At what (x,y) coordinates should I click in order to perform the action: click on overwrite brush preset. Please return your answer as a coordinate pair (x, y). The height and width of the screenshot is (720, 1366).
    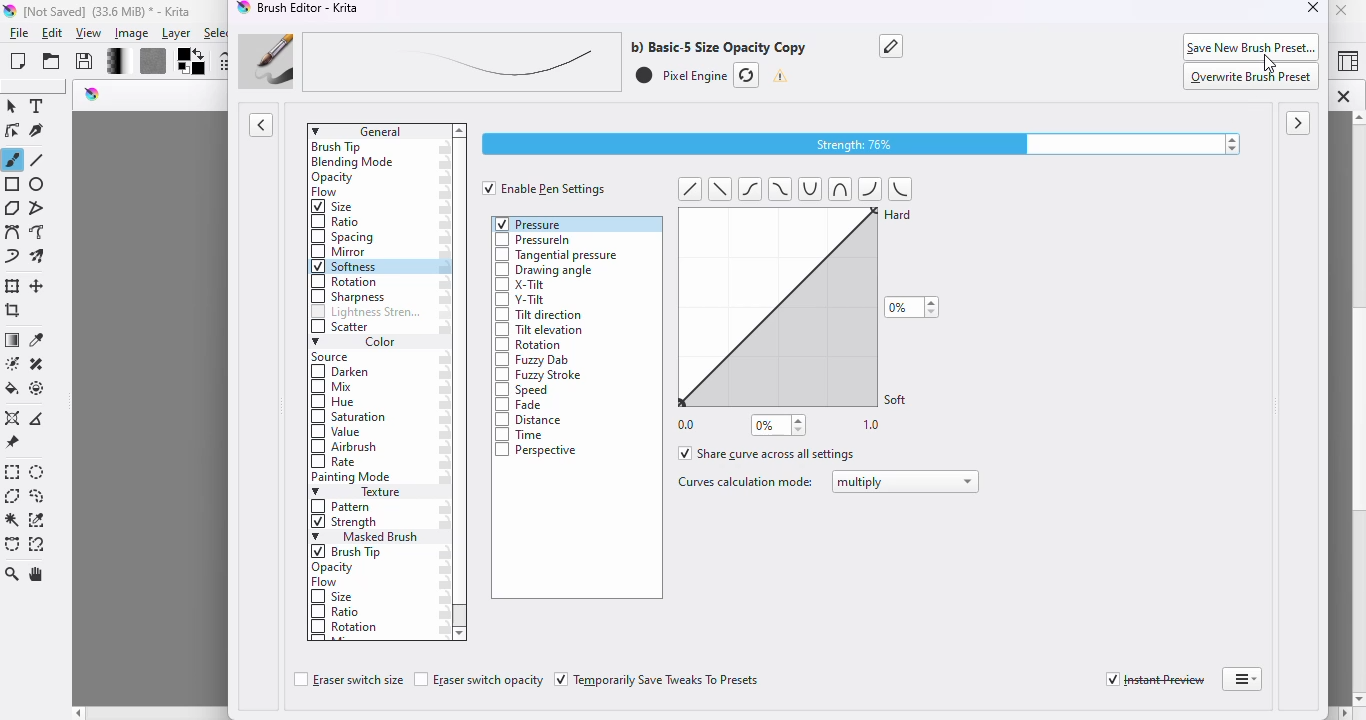
    Looking at the image, I should click on (1253, 77).